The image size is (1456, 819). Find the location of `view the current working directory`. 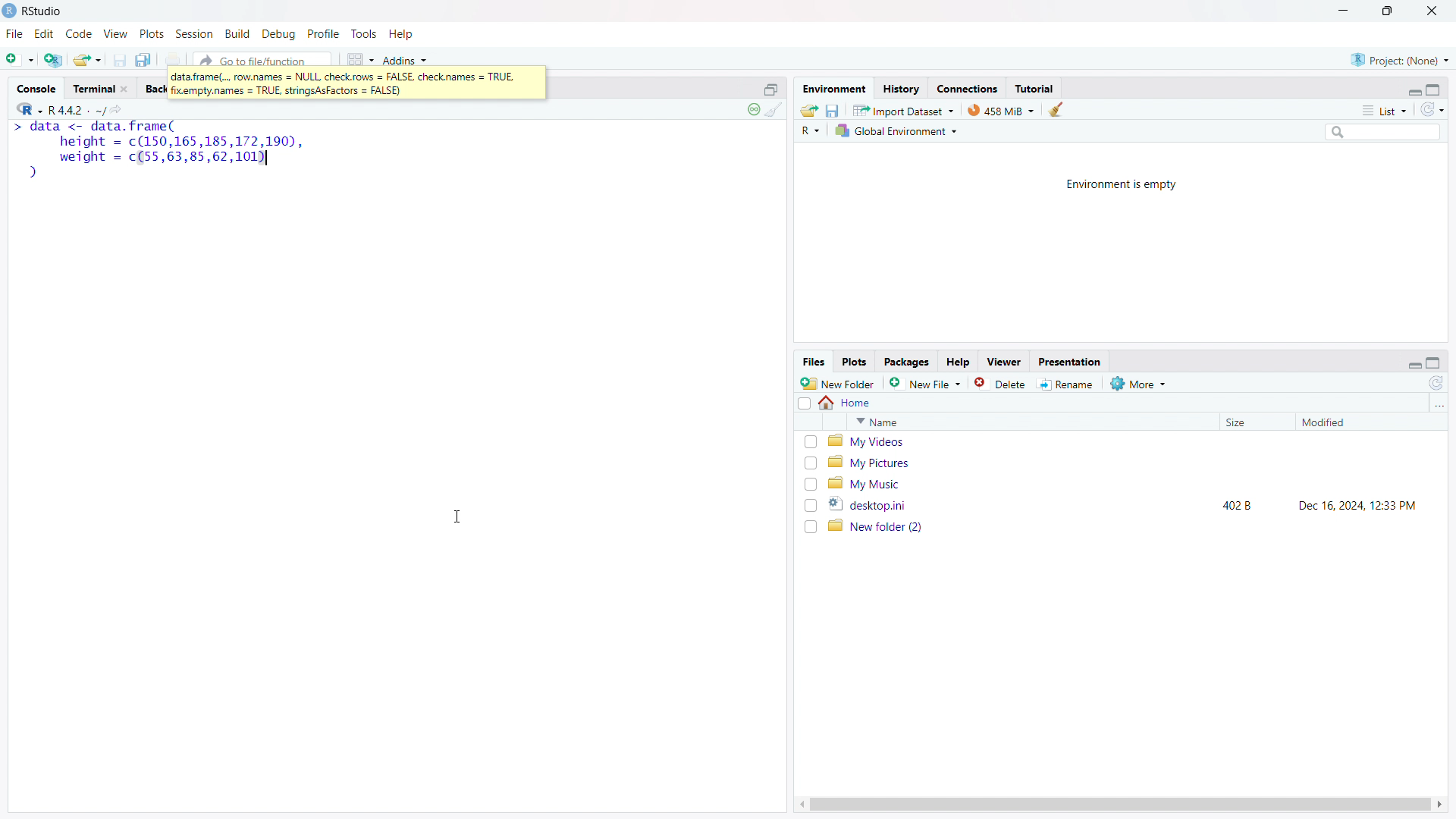

view the current working directory is located at coordinates (119, 108).